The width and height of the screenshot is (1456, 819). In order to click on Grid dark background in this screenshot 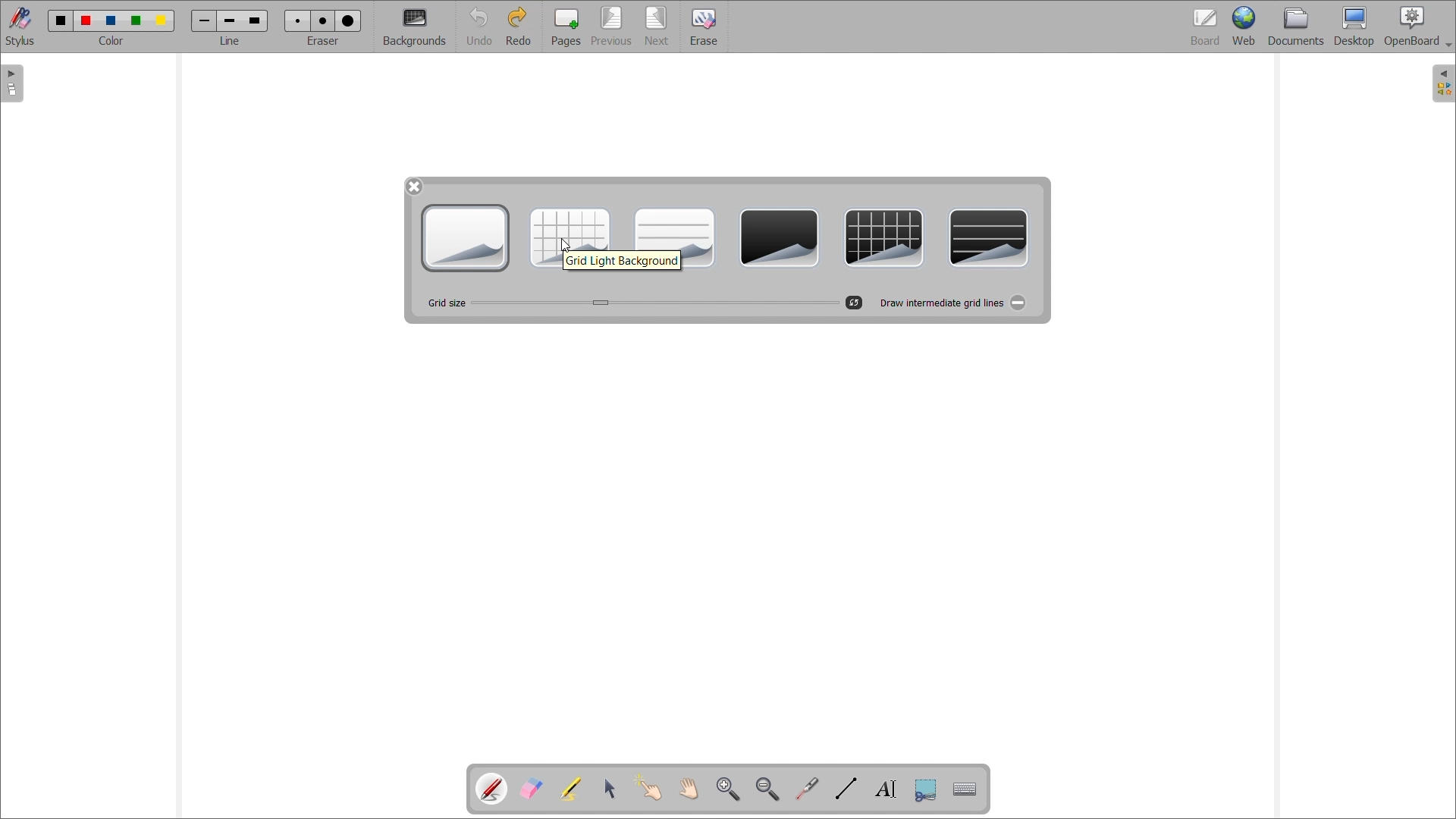, I will do `click(883, 238)`.